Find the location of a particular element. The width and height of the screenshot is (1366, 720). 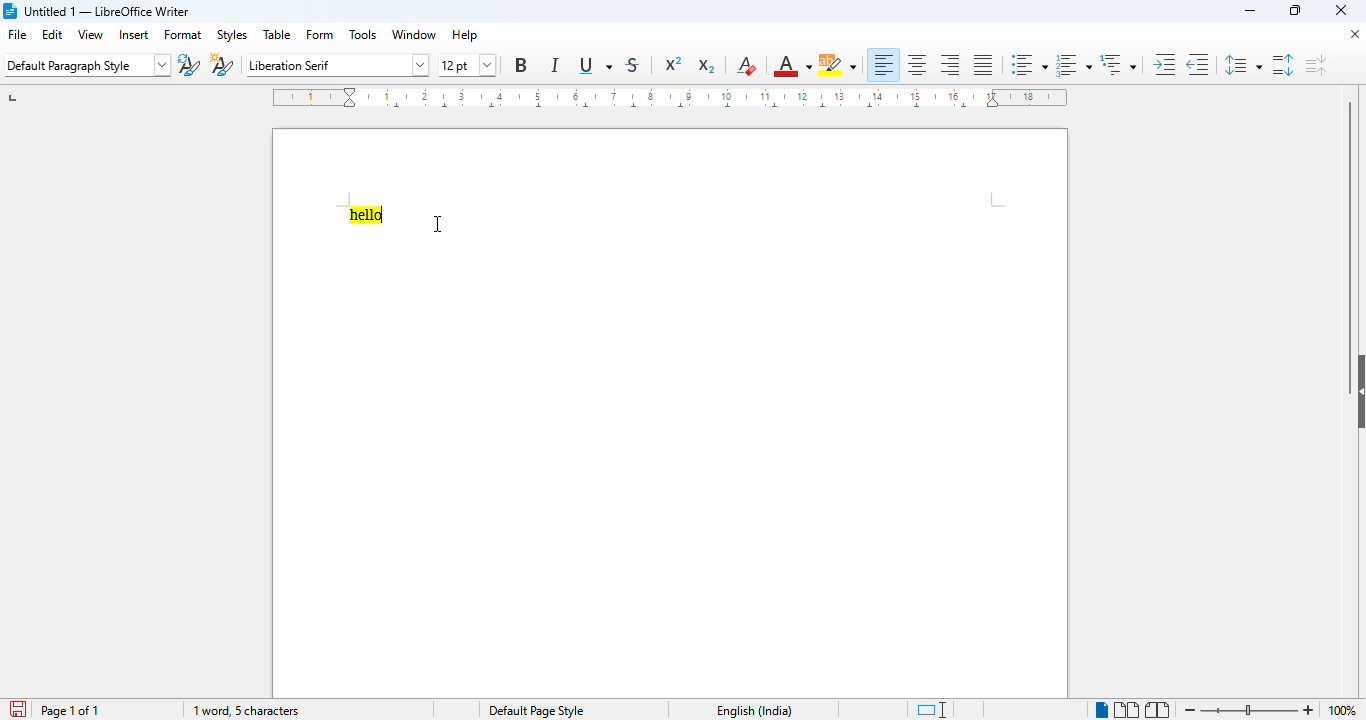

logo is located at coordinates (12, 10).